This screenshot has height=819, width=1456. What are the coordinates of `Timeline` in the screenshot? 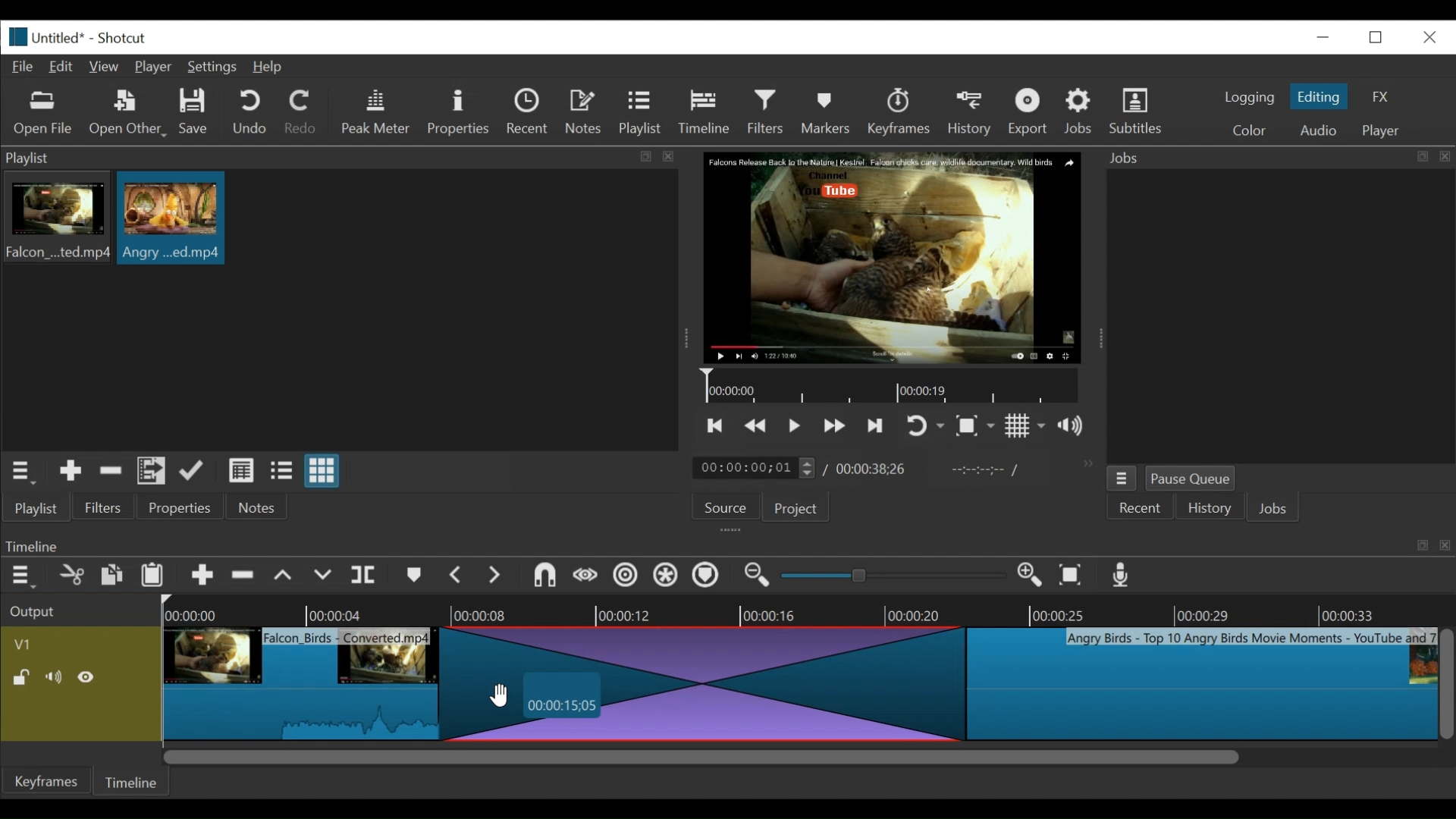 It's located at (134, 780).